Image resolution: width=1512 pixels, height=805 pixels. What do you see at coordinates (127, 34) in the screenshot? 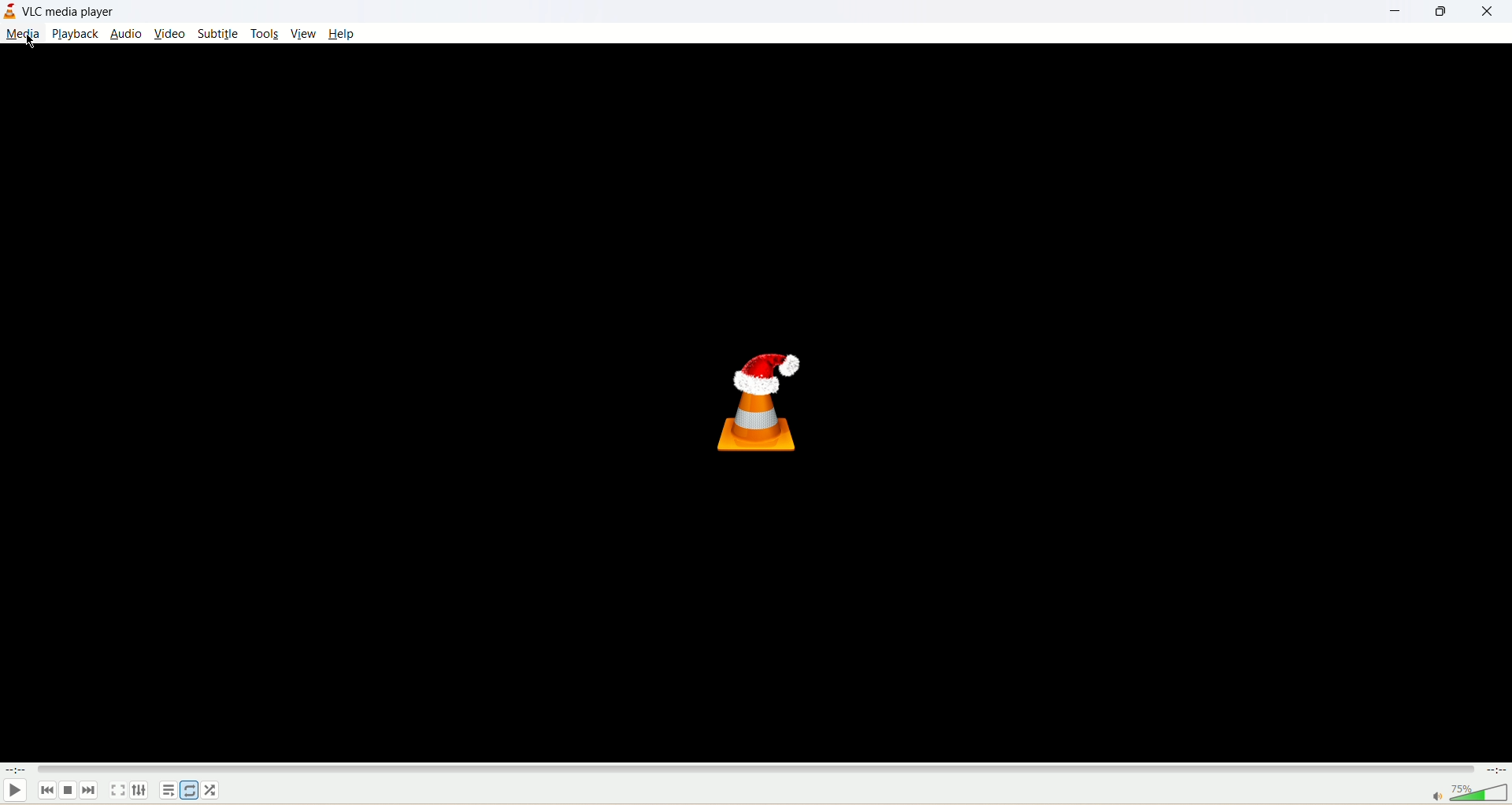
I see `audio` at bounding box center [127, 34].